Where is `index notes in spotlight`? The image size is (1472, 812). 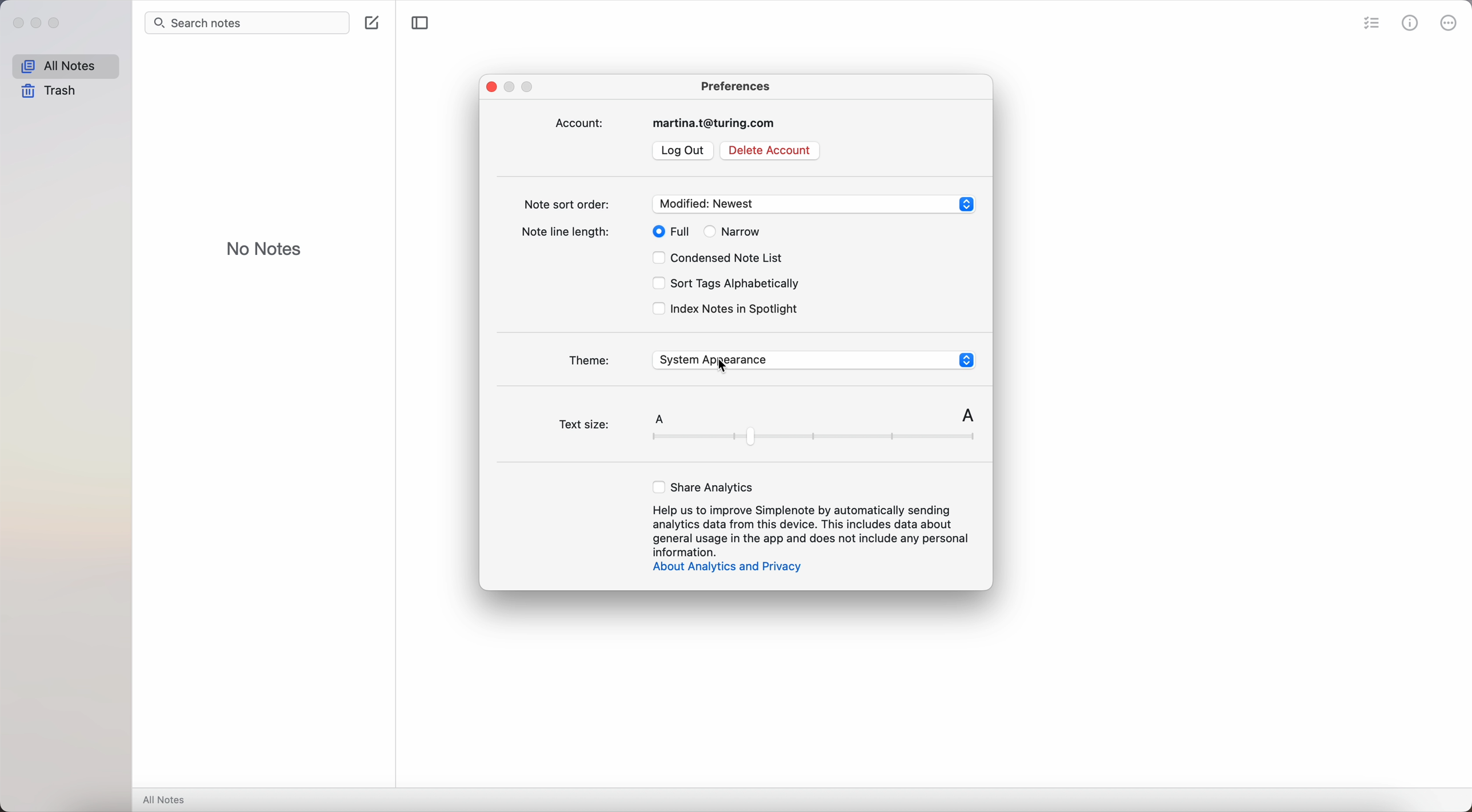 index notes in spotlight is located at coordinates (726, 309).